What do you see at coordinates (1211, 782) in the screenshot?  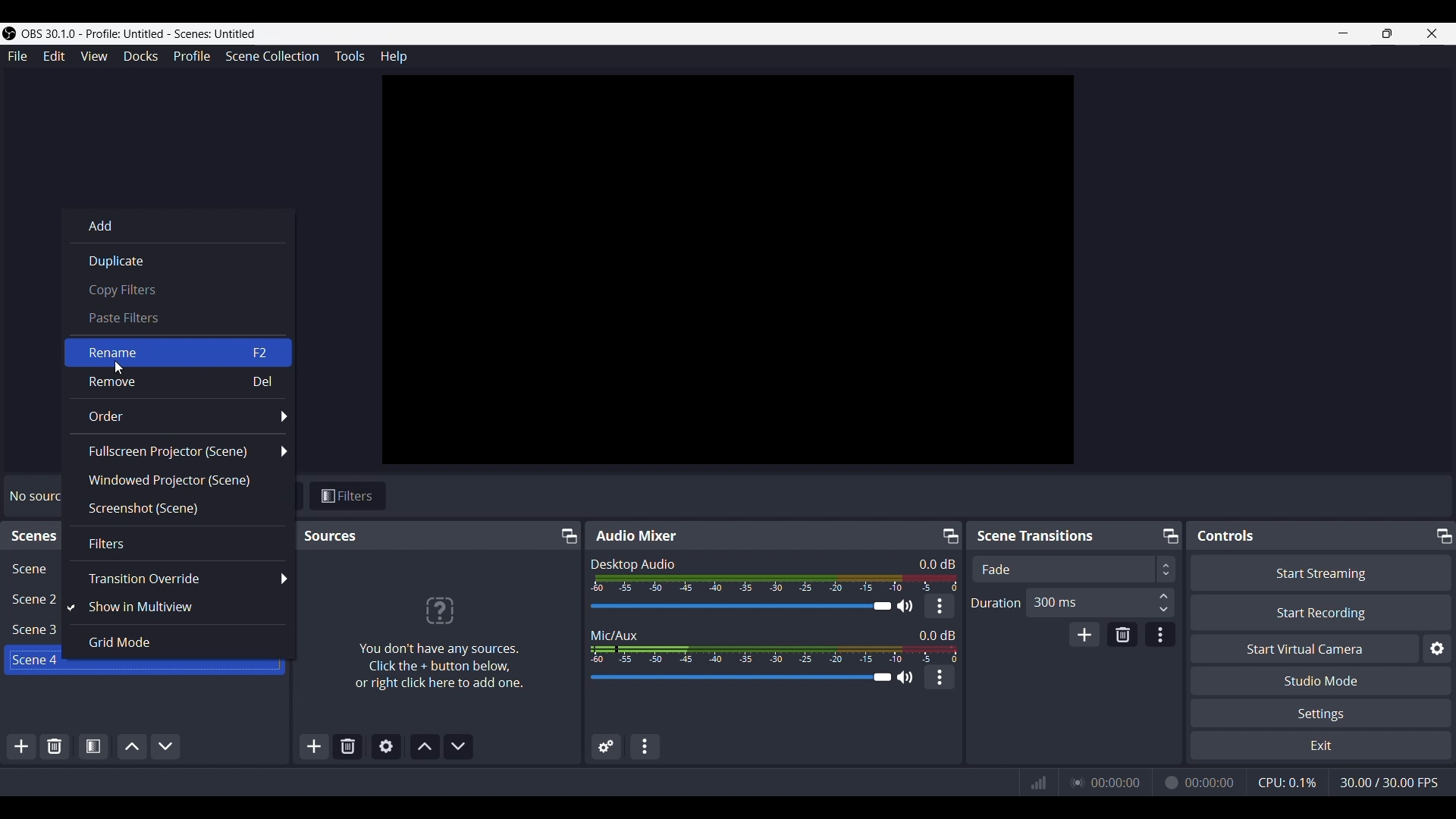 I see `Recording Timer` at bounding box center [1211, 782].